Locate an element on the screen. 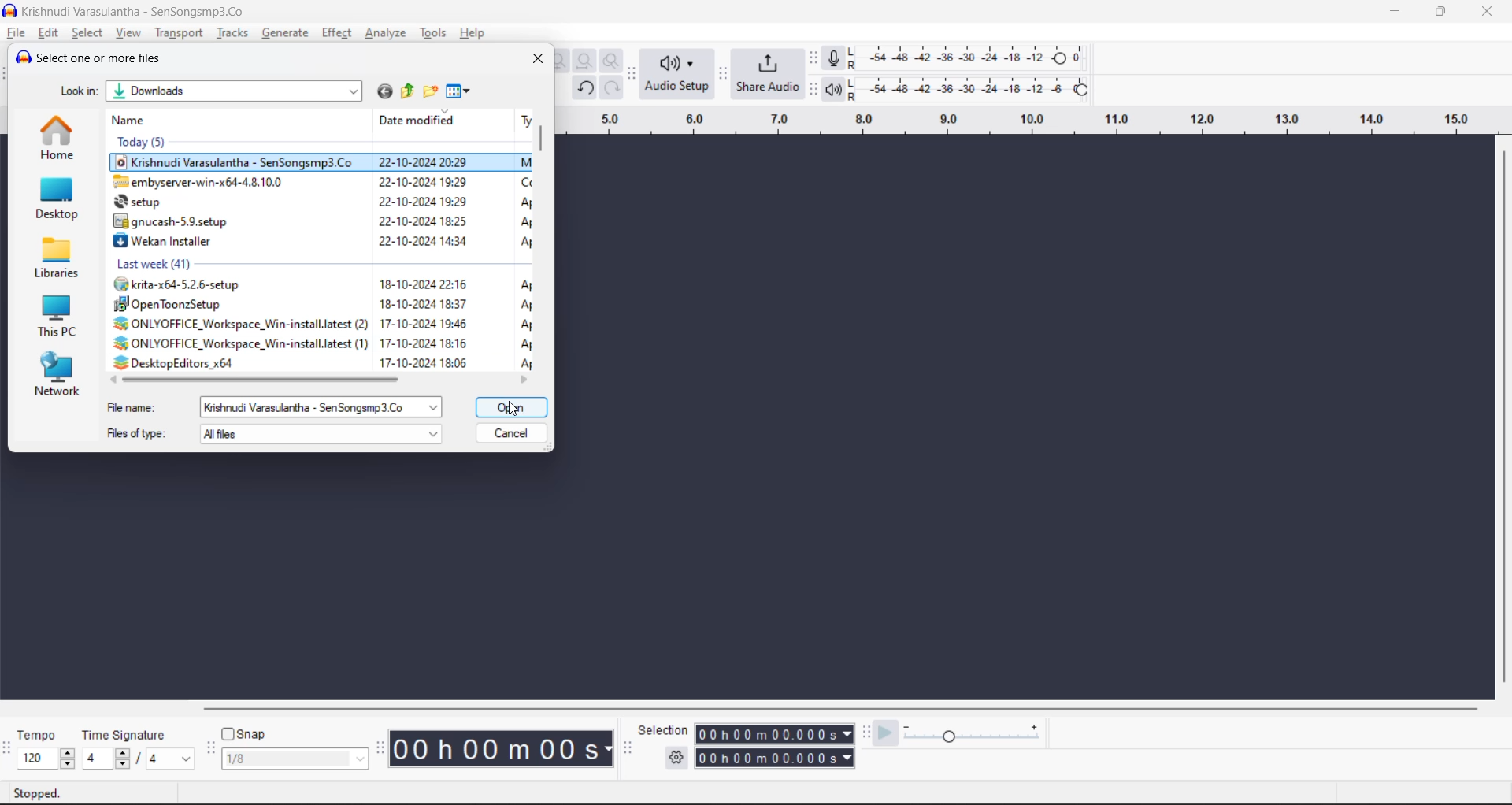 The image size is (1512, 805). desktop is located at coordinates (59, 199).